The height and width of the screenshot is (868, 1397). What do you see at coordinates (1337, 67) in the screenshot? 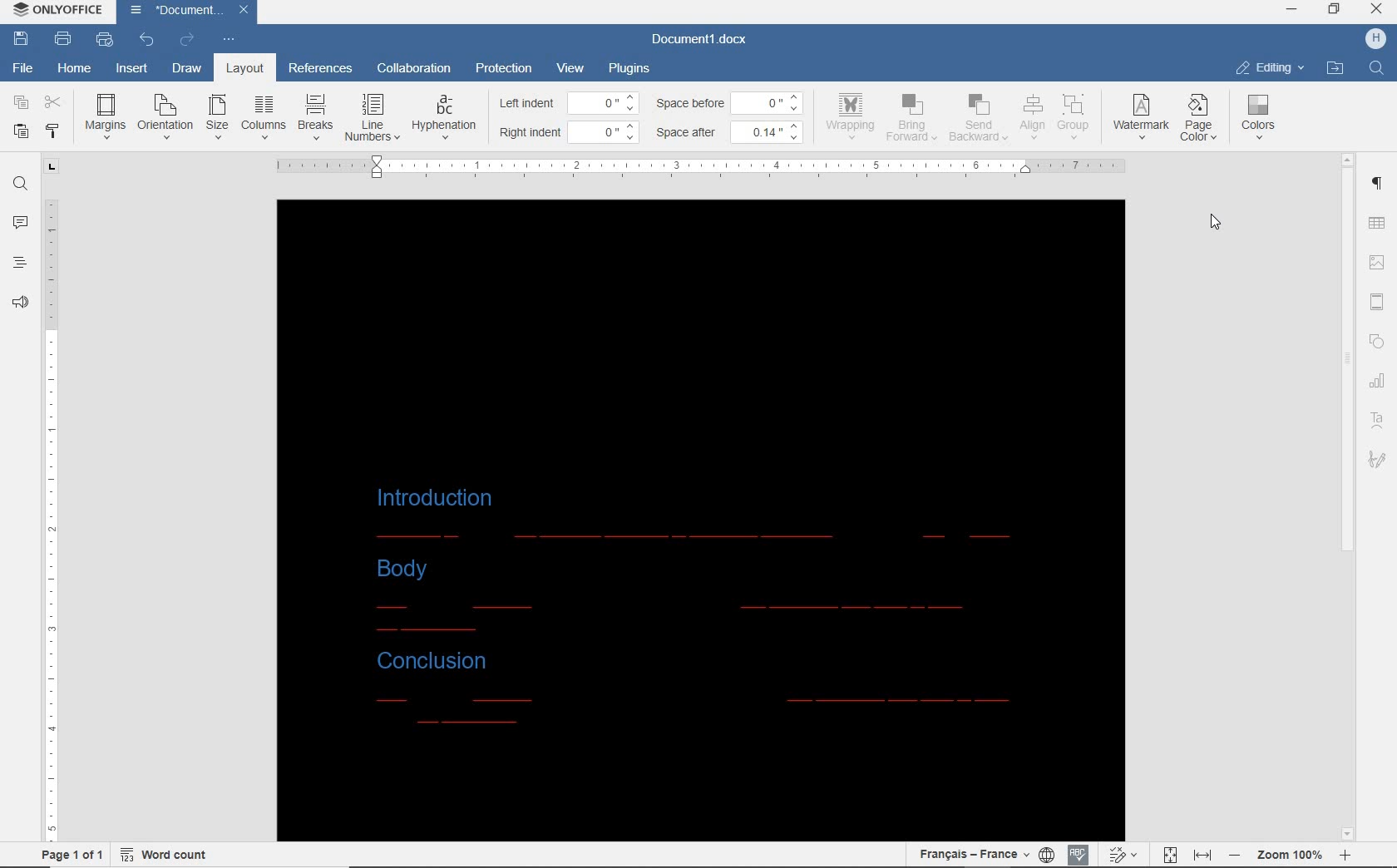
I see `OPEN FILE LOCATION` at bounding box center [1337, 67].